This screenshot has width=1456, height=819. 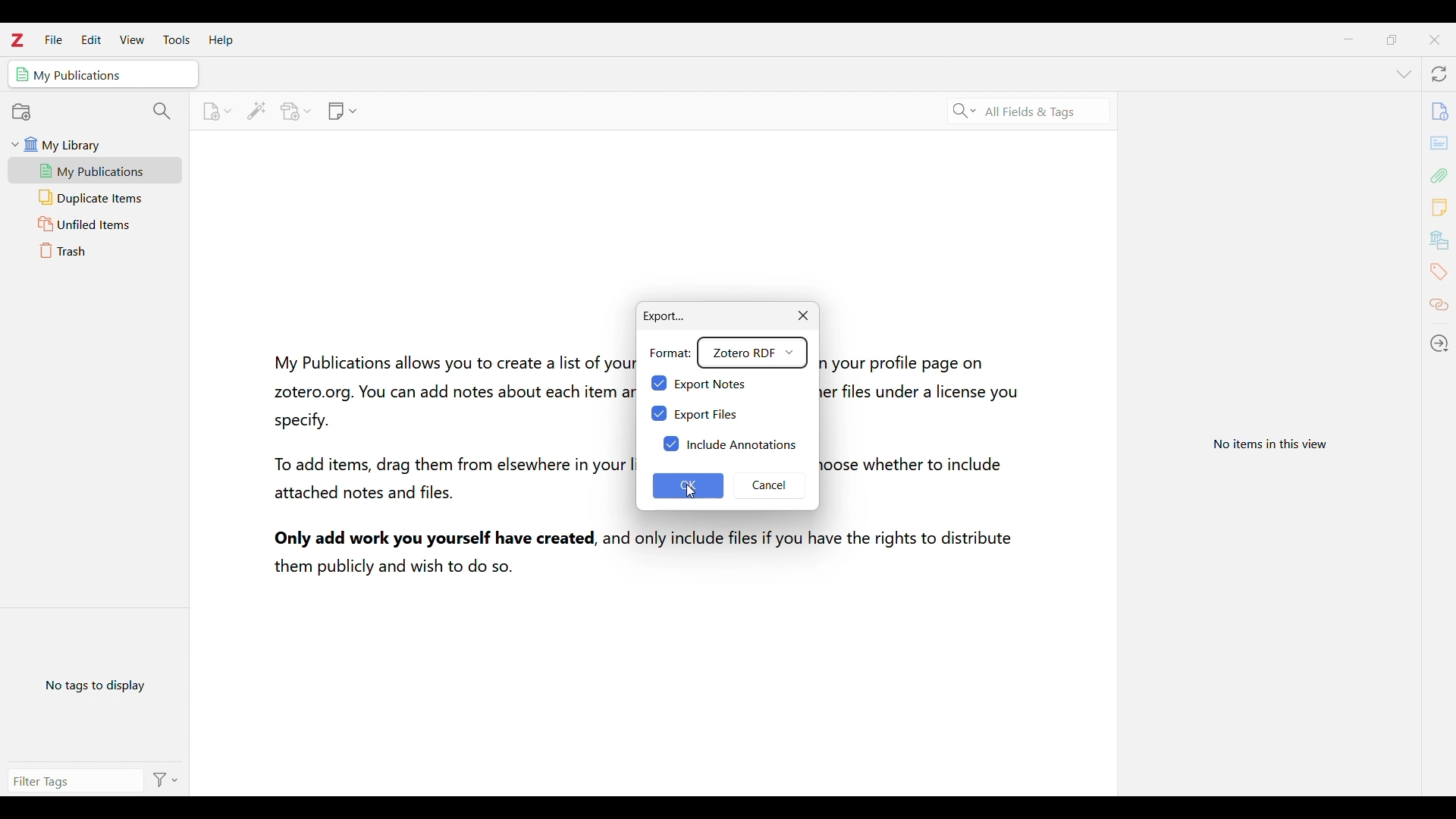 What do you see at coordinates (164, 780) in the screenshot?
I see `Action options` at bounding box center [164, 780].